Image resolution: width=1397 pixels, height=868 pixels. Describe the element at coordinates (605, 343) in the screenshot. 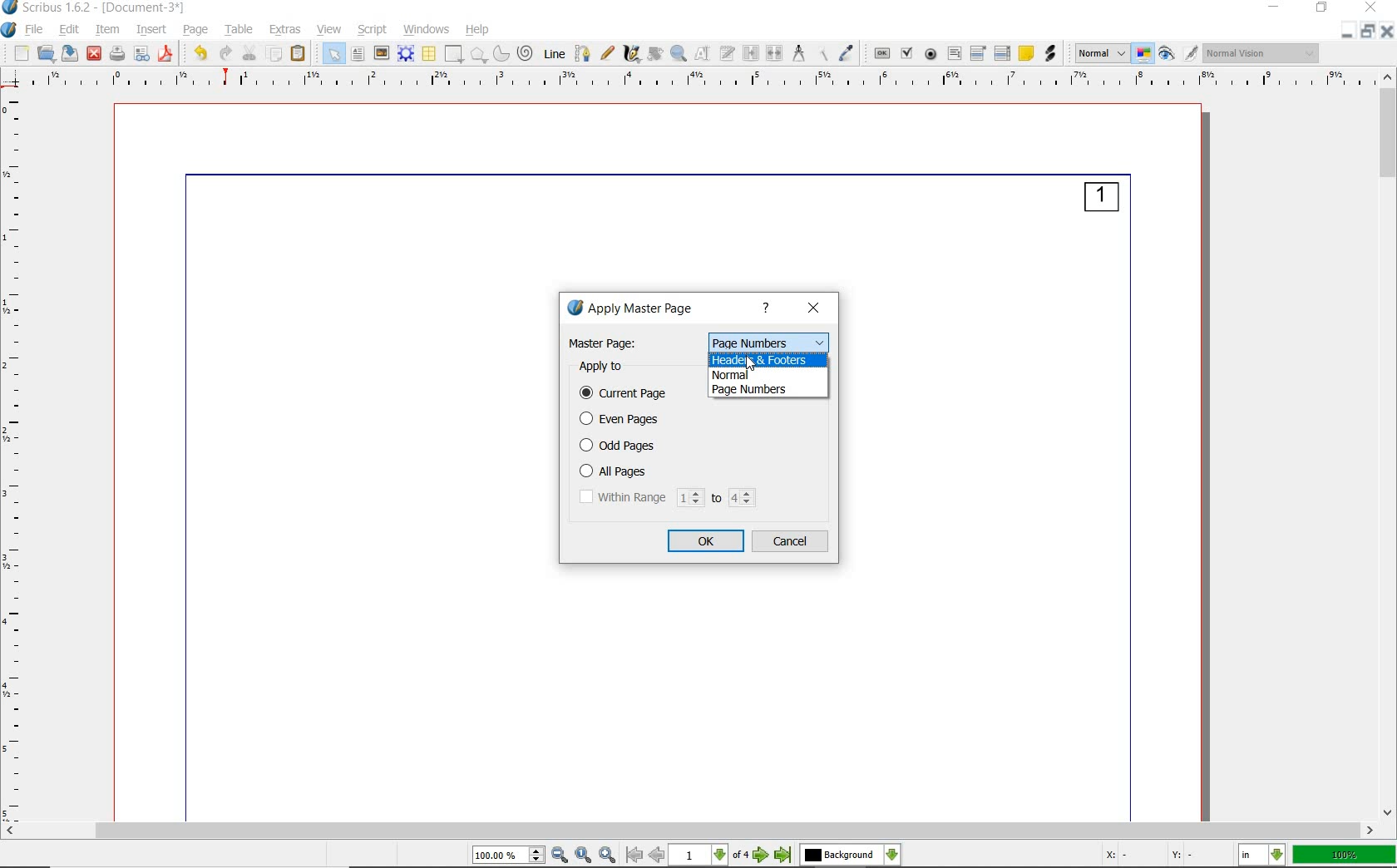

I see `Master page` at that location.